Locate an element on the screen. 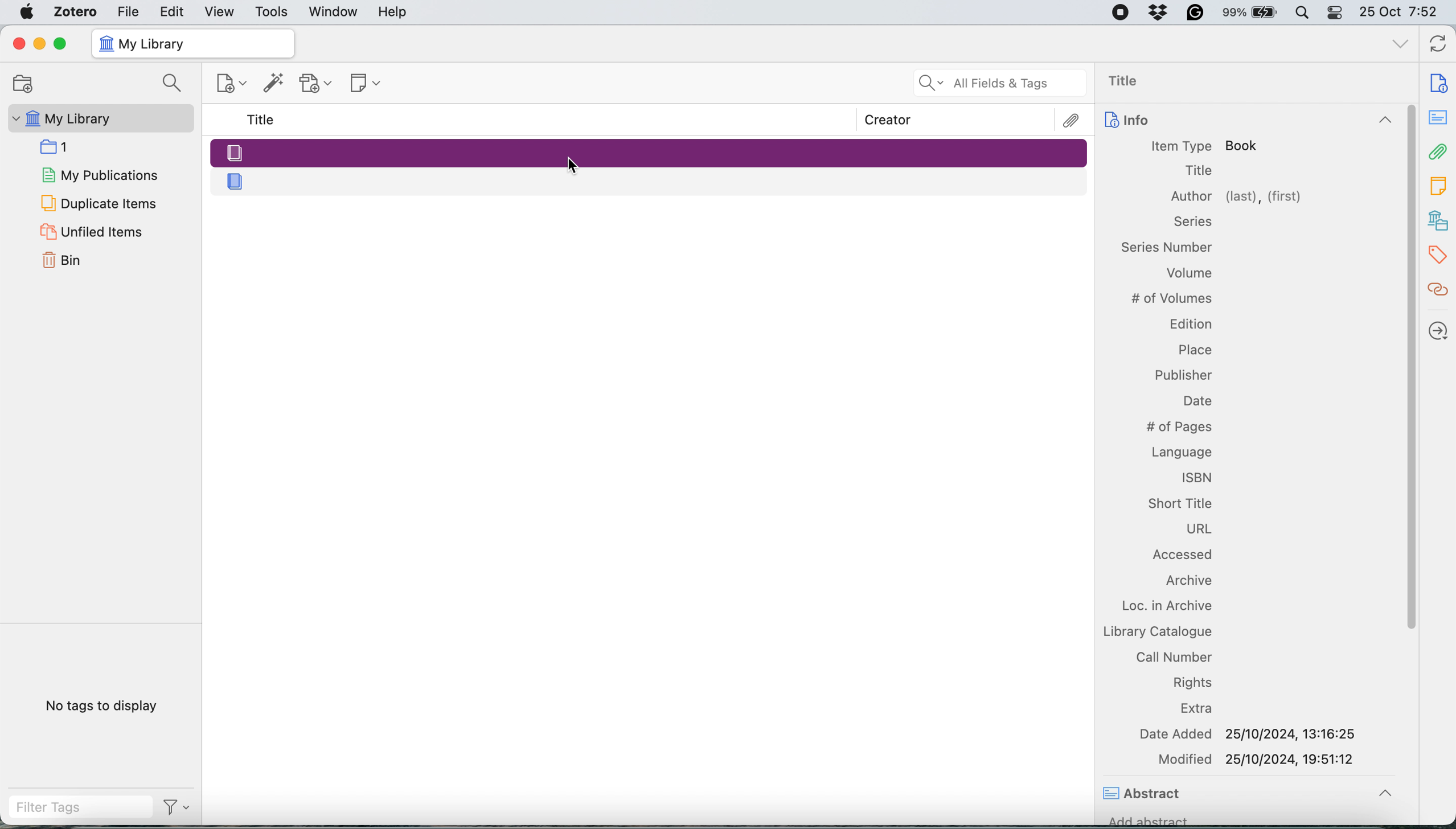  File is located at coordinates (128, 11).